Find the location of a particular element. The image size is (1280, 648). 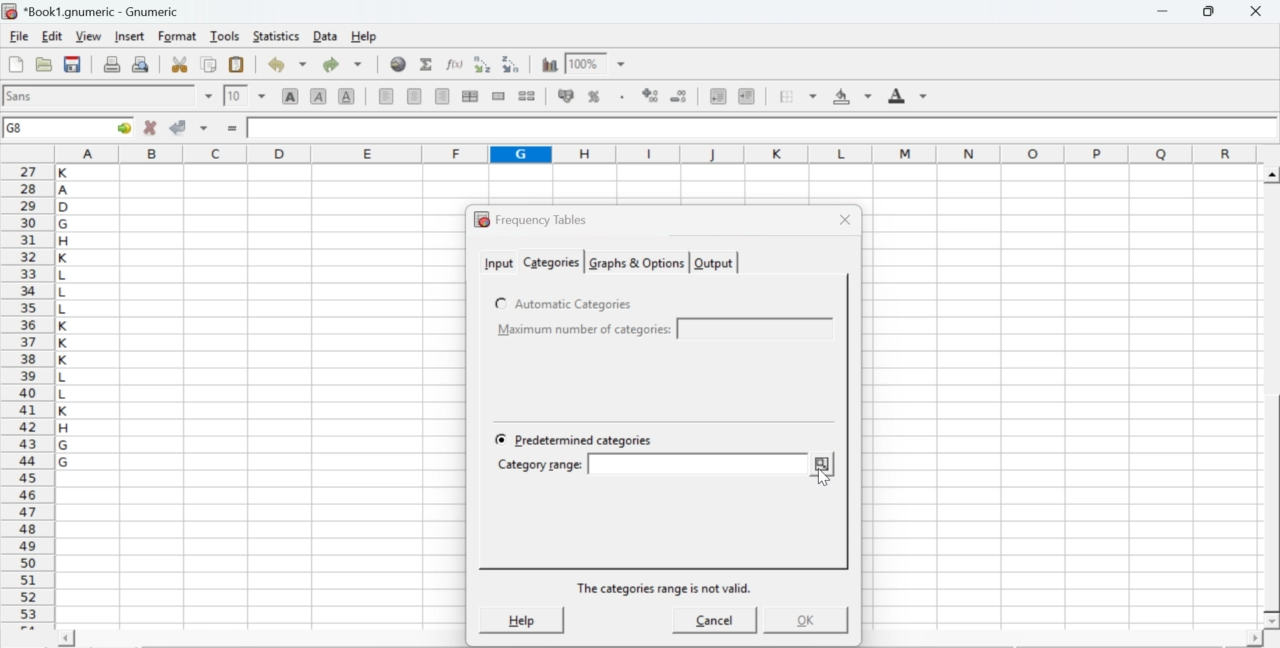

restore down is located at coordinates (1210, 12).